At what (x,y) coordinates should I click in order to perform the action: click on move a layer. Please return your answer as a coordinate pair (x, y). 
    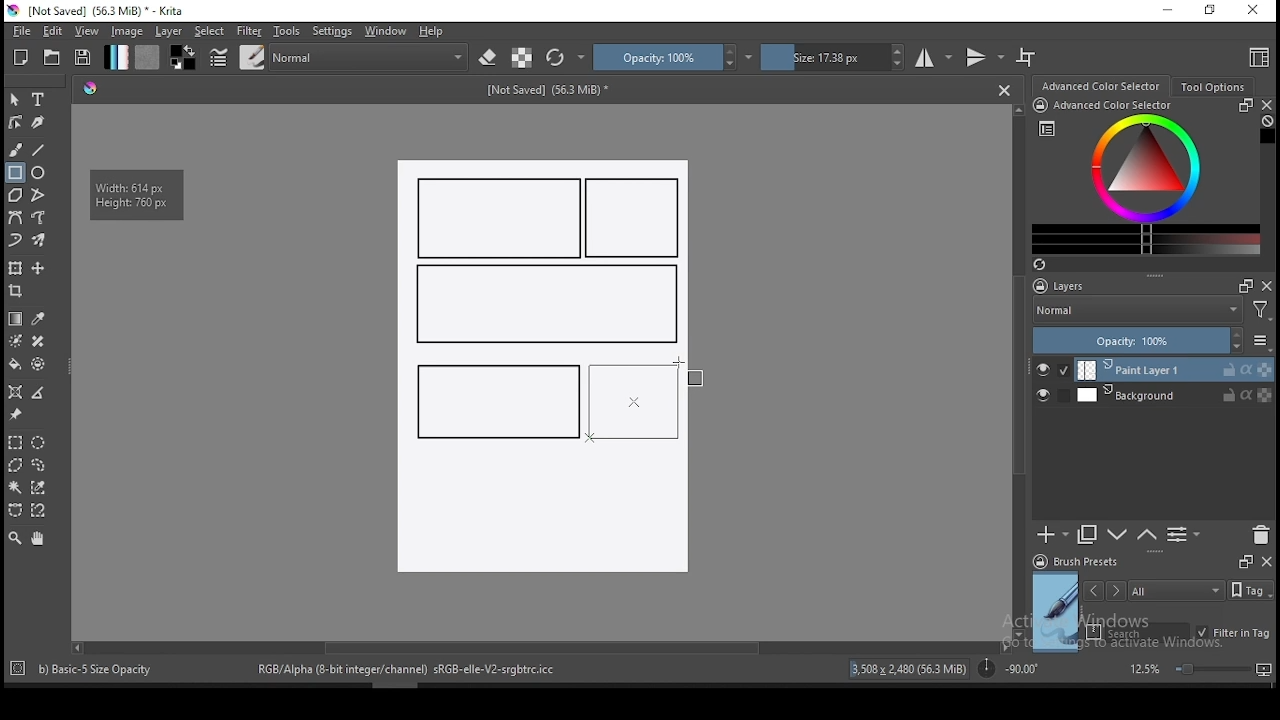
    Looking at the image, I should click on (38, 269).